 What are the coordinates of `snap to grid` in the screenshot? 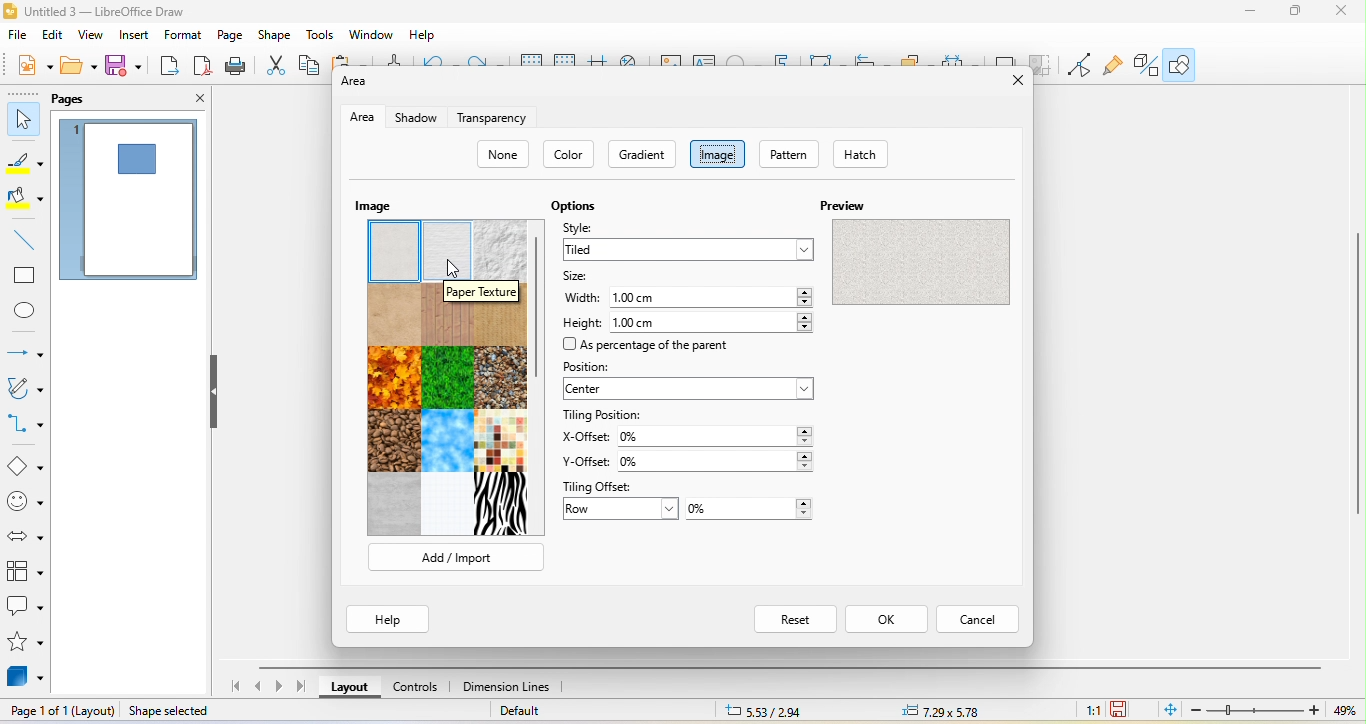 It's located at (566, 61).